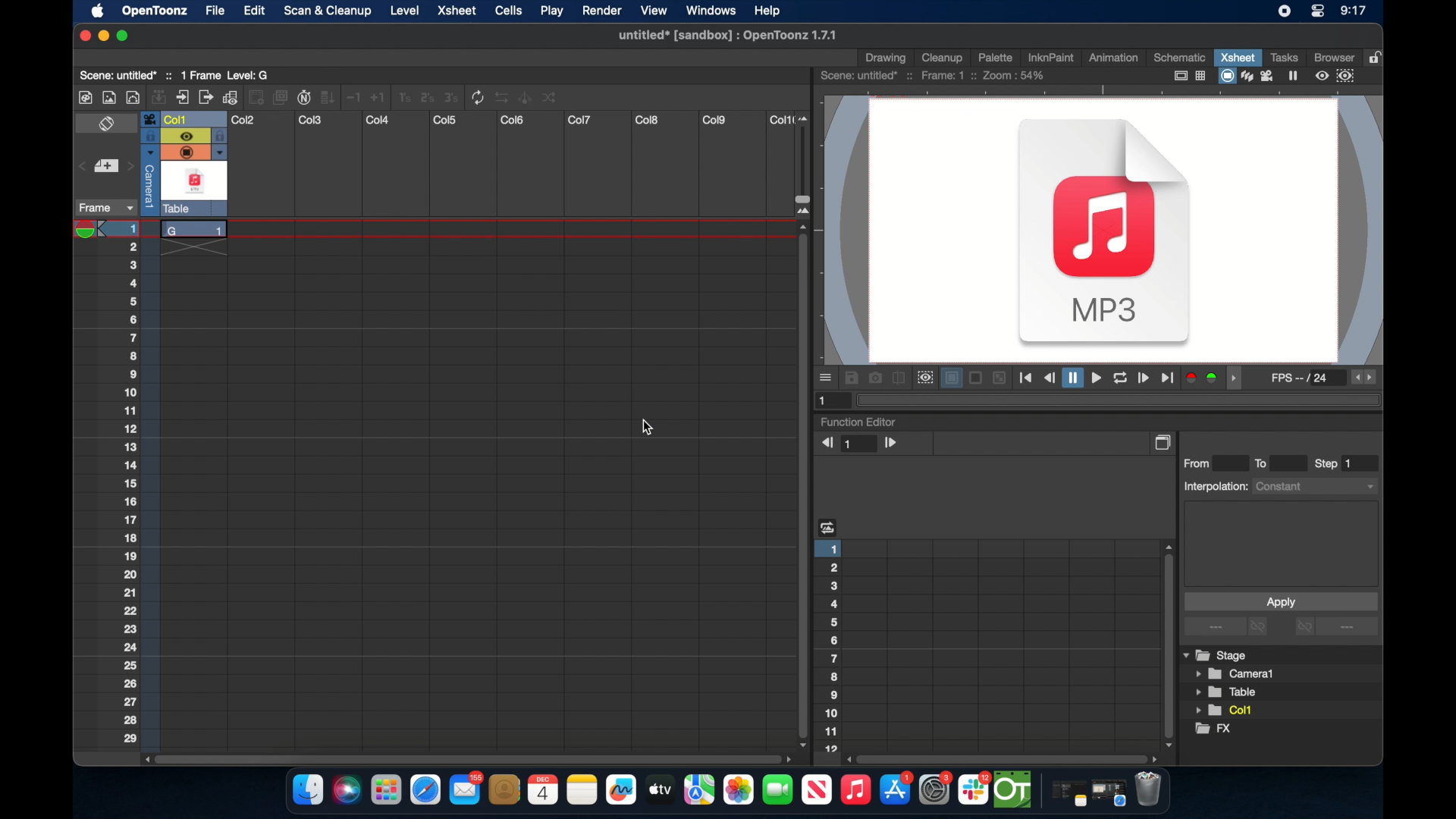 This screenshot has height=819, width=1456. Describe the element at coordinates (973, 378) in the screenshot. I see `backgrounds` at that location.